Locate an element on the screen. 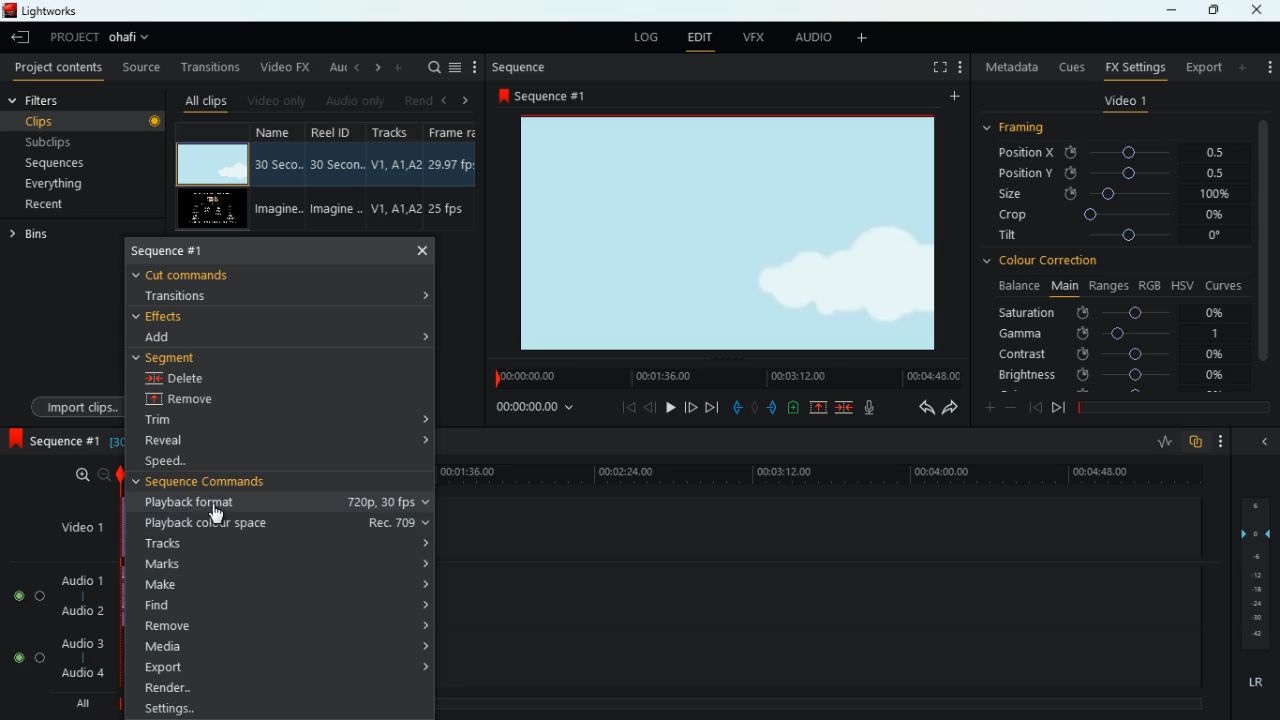 The height and width of the screenshot is (720, 1280). left is located at coordinates (358, 68).